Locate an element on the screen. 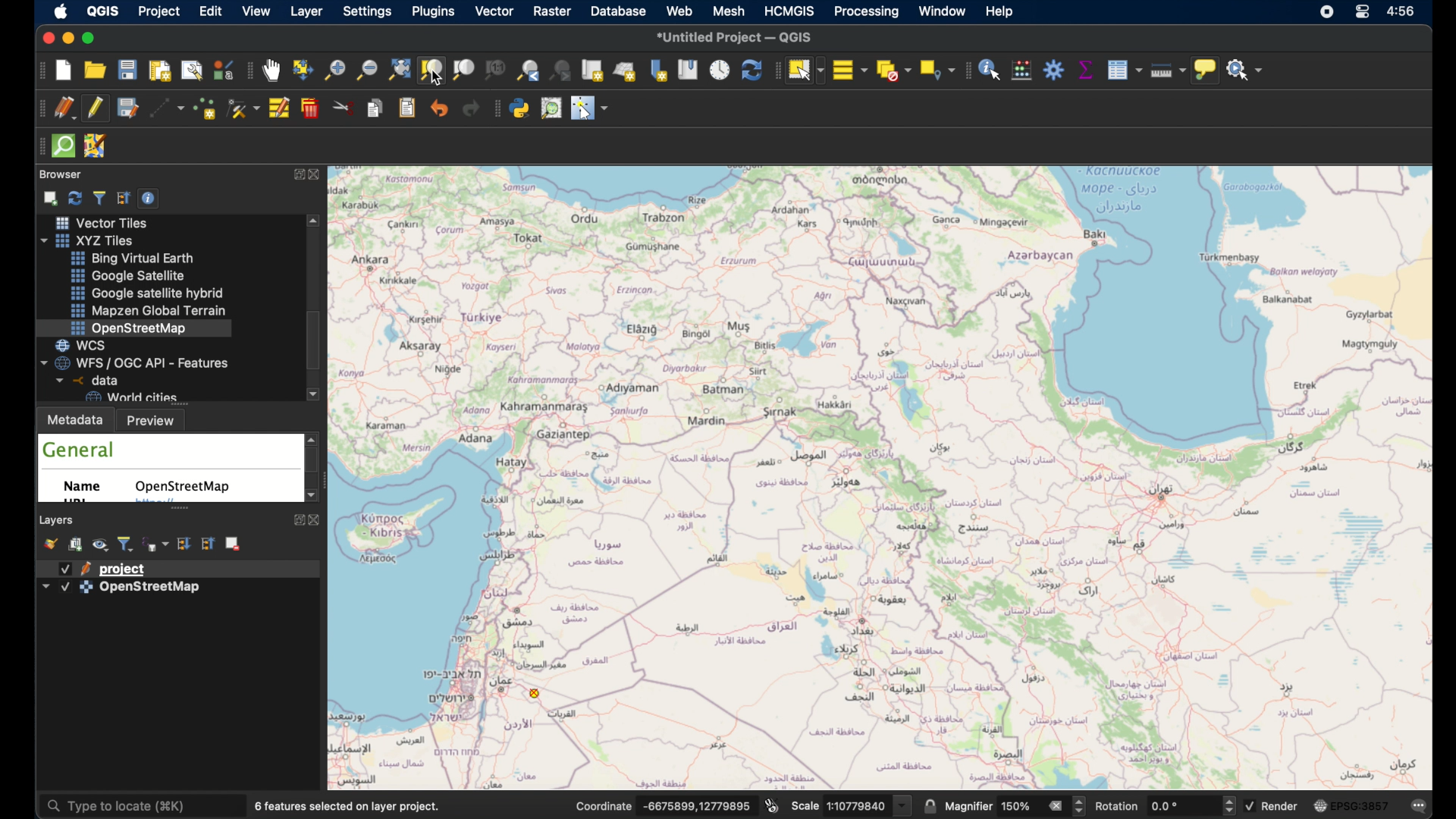  mapzen global terrain is located at coordinates (151, 311).